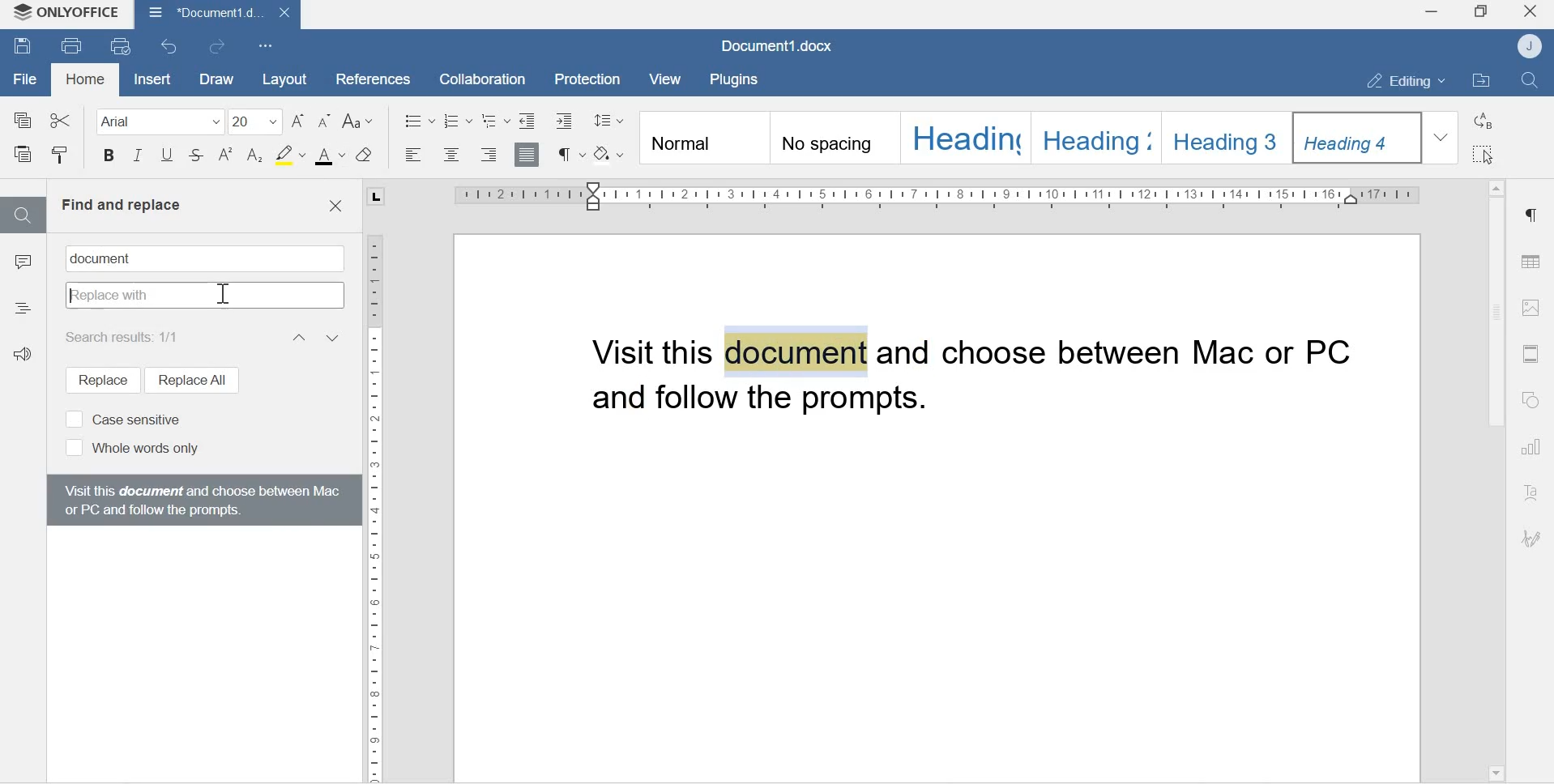  I want to click on Scale, so click(375, 496).